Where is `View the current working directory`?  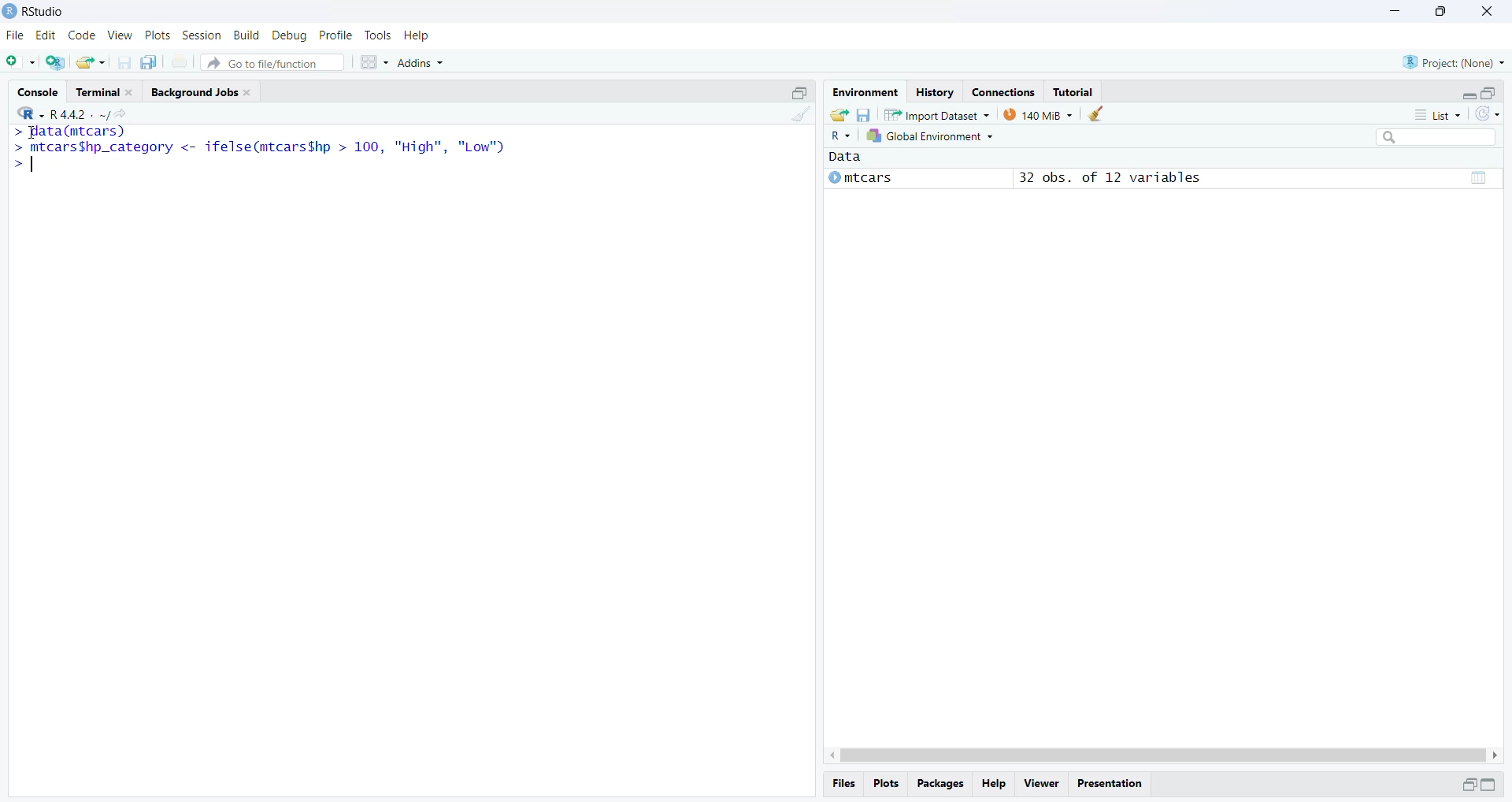
View the current working directory is located at coordinates (121, 113).